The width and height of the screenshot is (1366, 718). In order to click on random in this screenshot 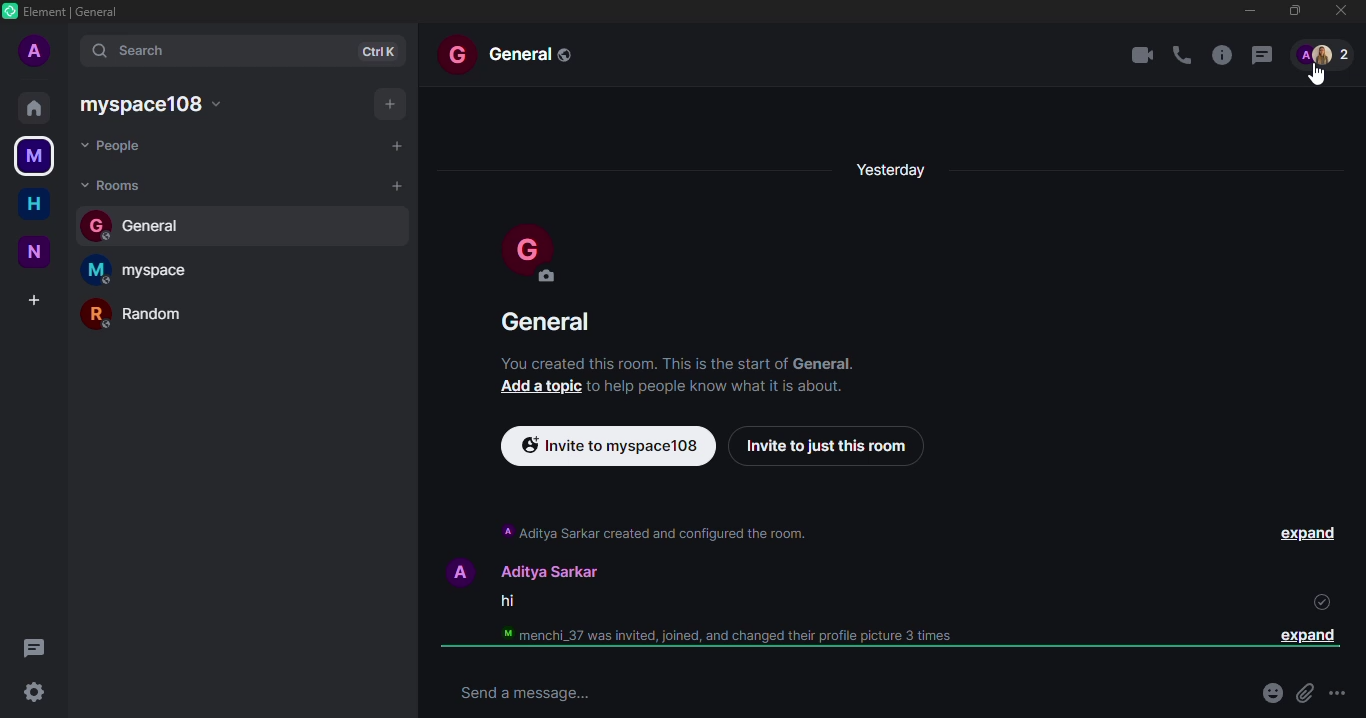, I will do `click(145, 314)`.